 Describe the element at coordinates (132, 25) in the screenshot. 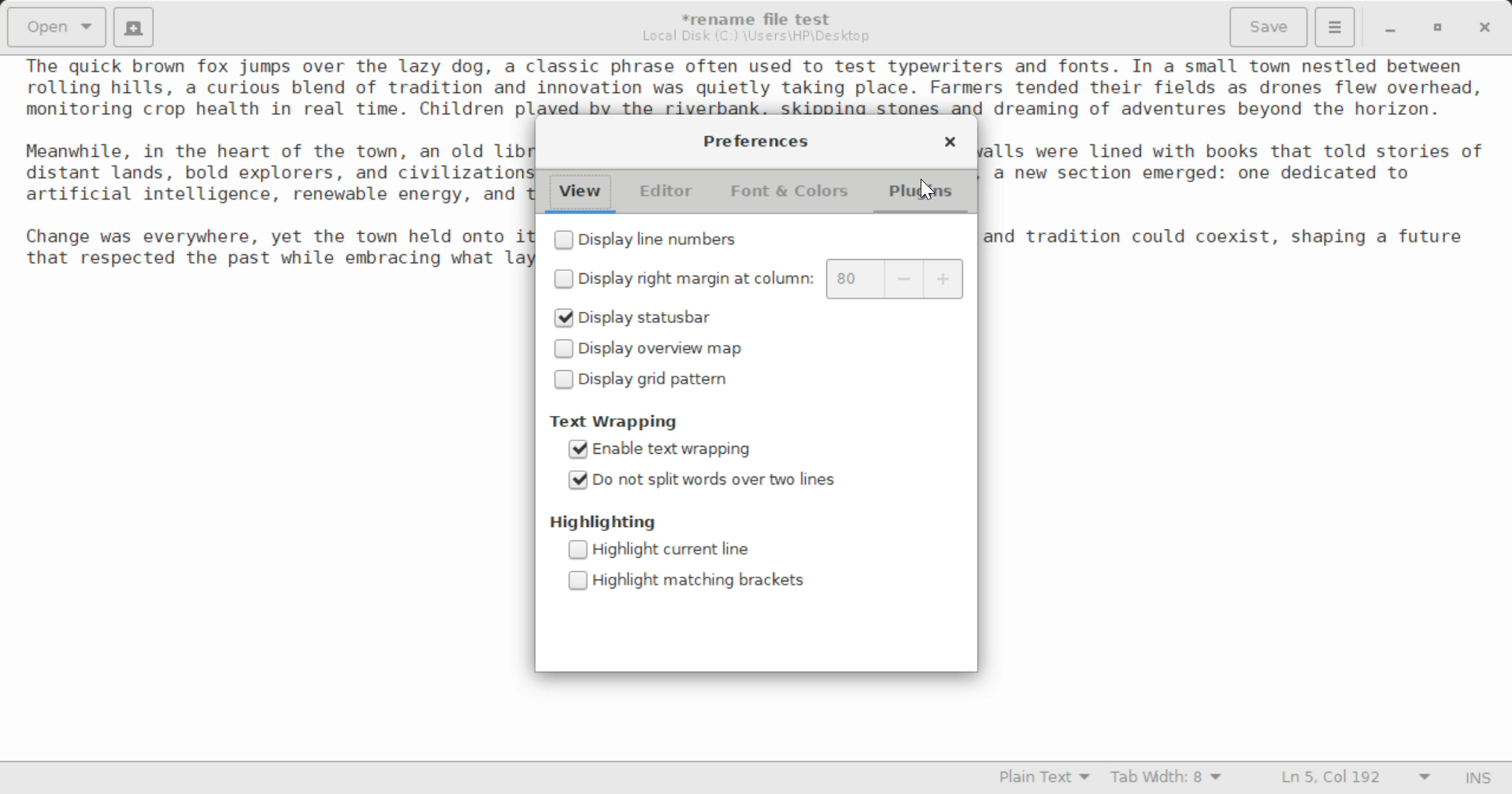

I see `Create New Document` at that location.